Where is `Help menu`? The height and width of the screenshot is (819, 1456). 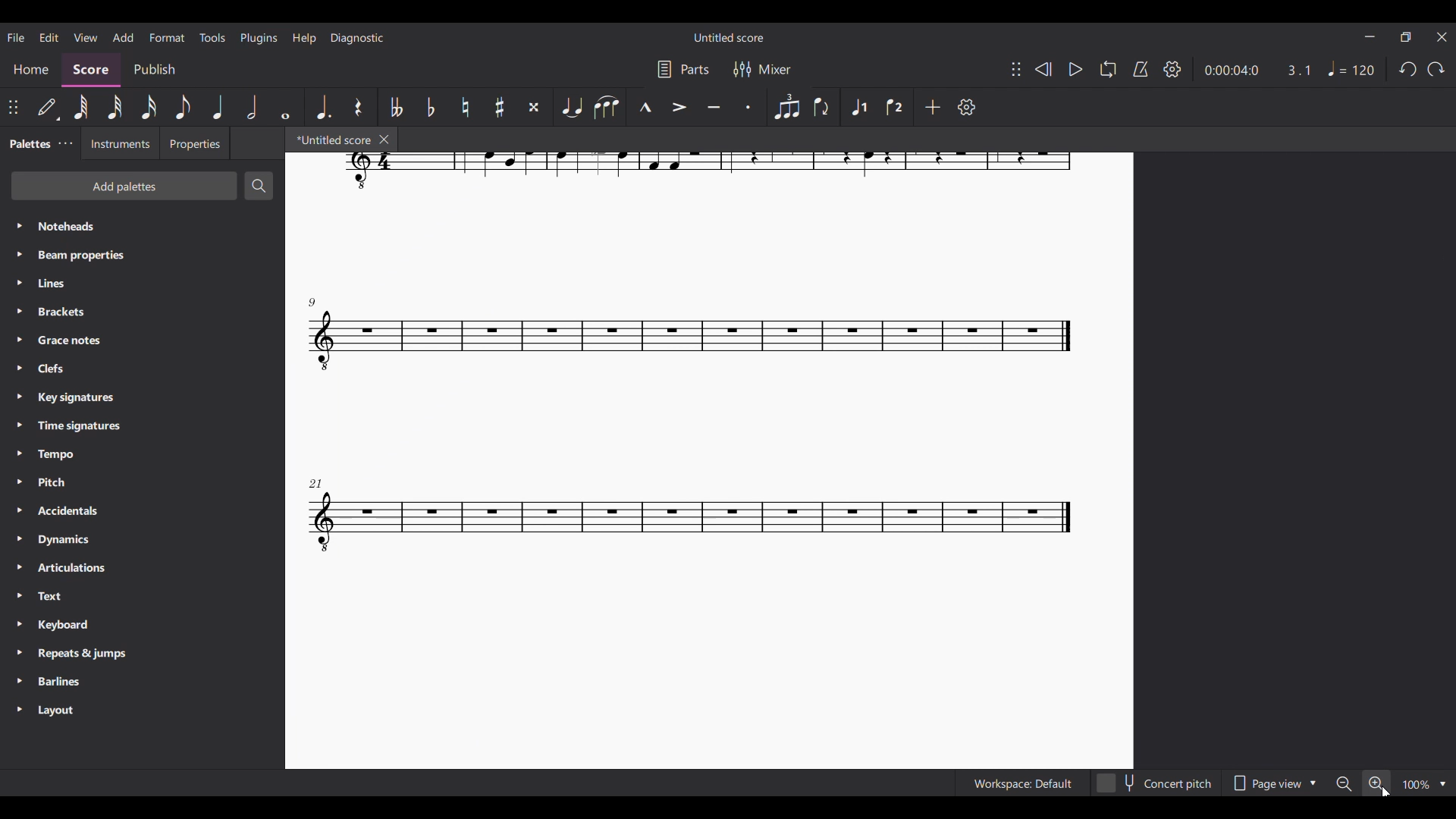
Help menu is located at coordinates (305, 39).